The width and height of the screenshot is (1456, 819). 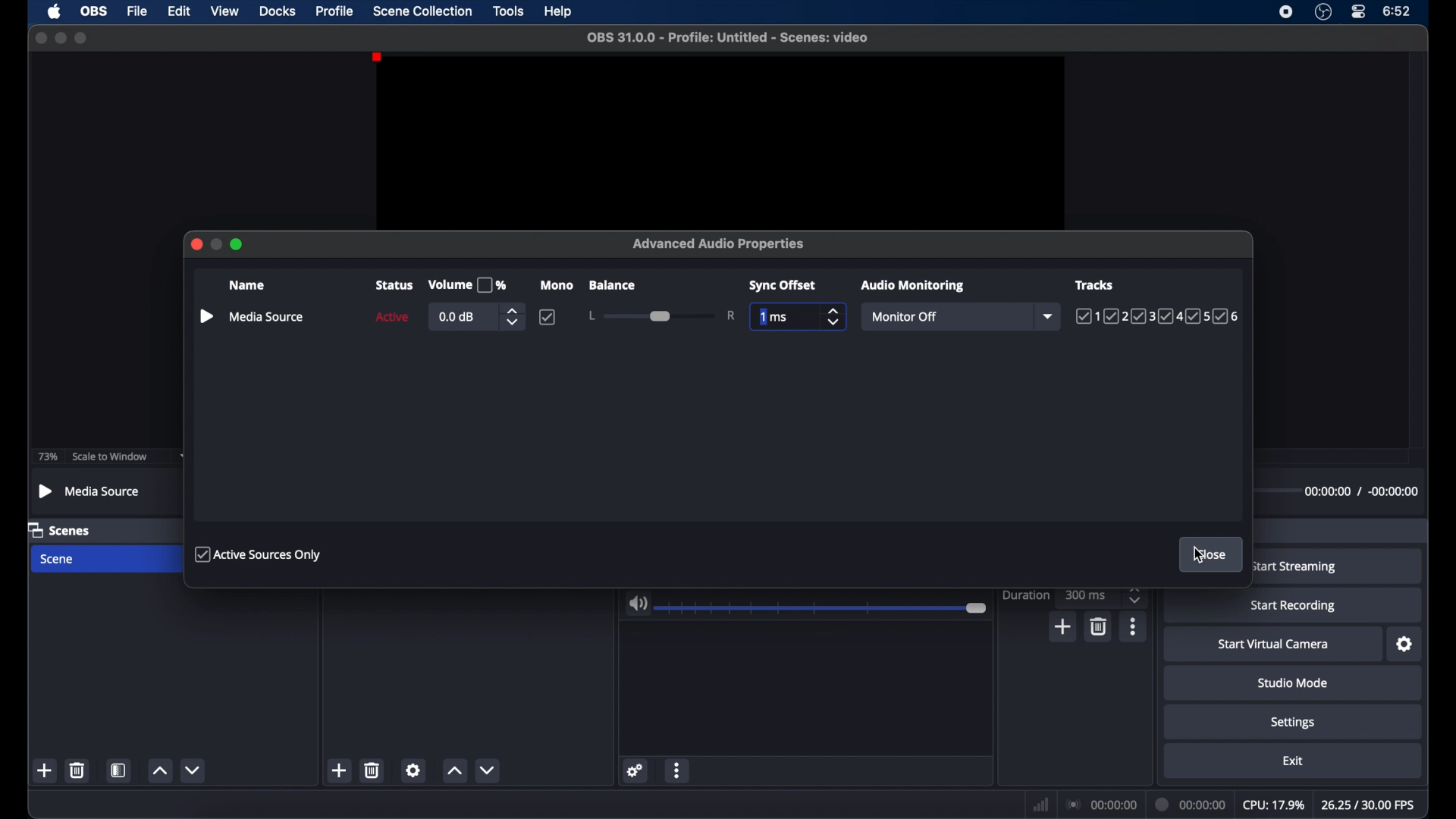 I want to click on sync offset, so click(x=783, y=286).